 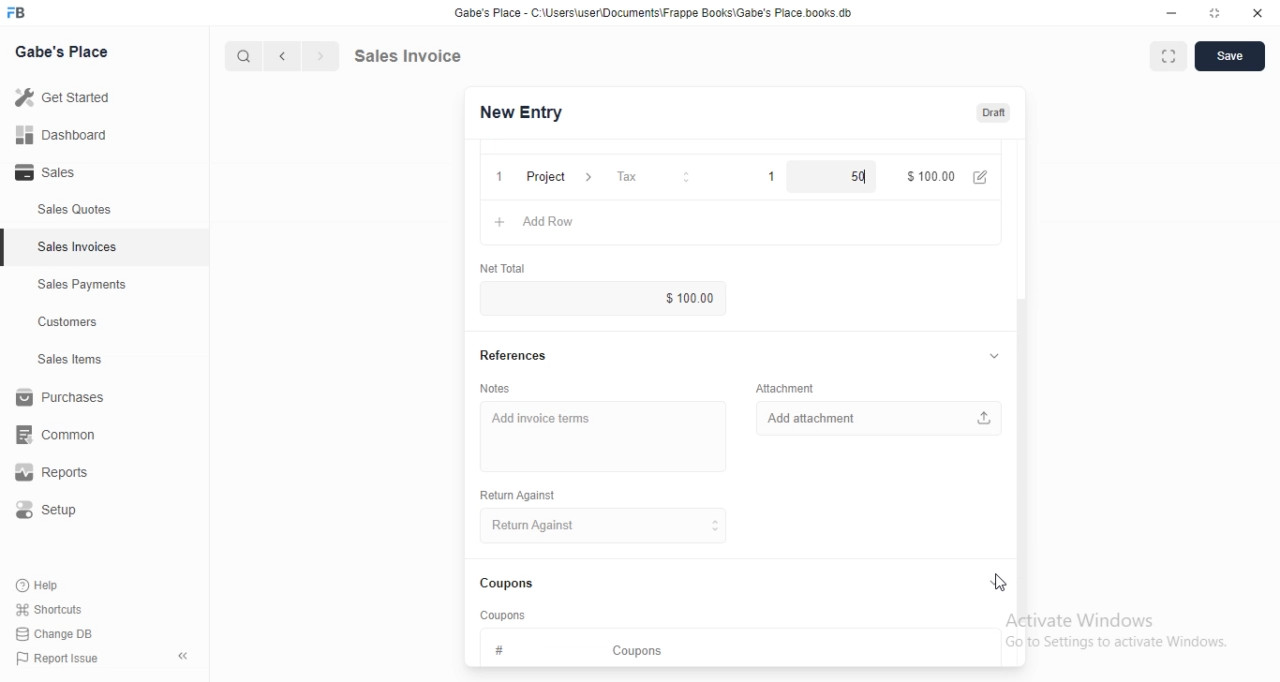 What do you see at coordinates (64, 400) in the screenshot?
I see `Purchases` at bounding box center [64, 400].